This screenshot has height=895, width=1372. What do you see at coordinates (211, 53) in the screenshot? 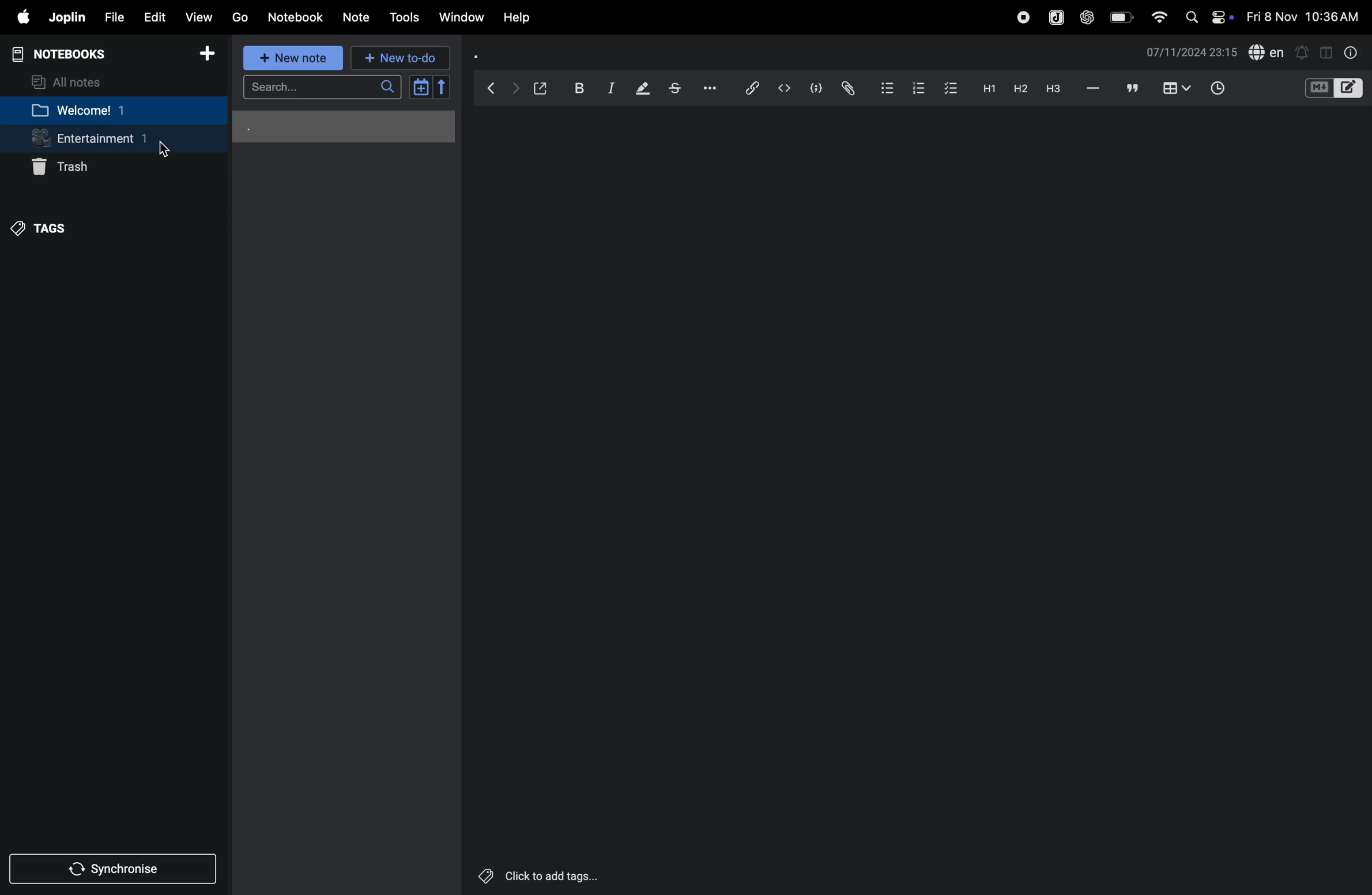
I see `add` at bounding box center [211, 53].